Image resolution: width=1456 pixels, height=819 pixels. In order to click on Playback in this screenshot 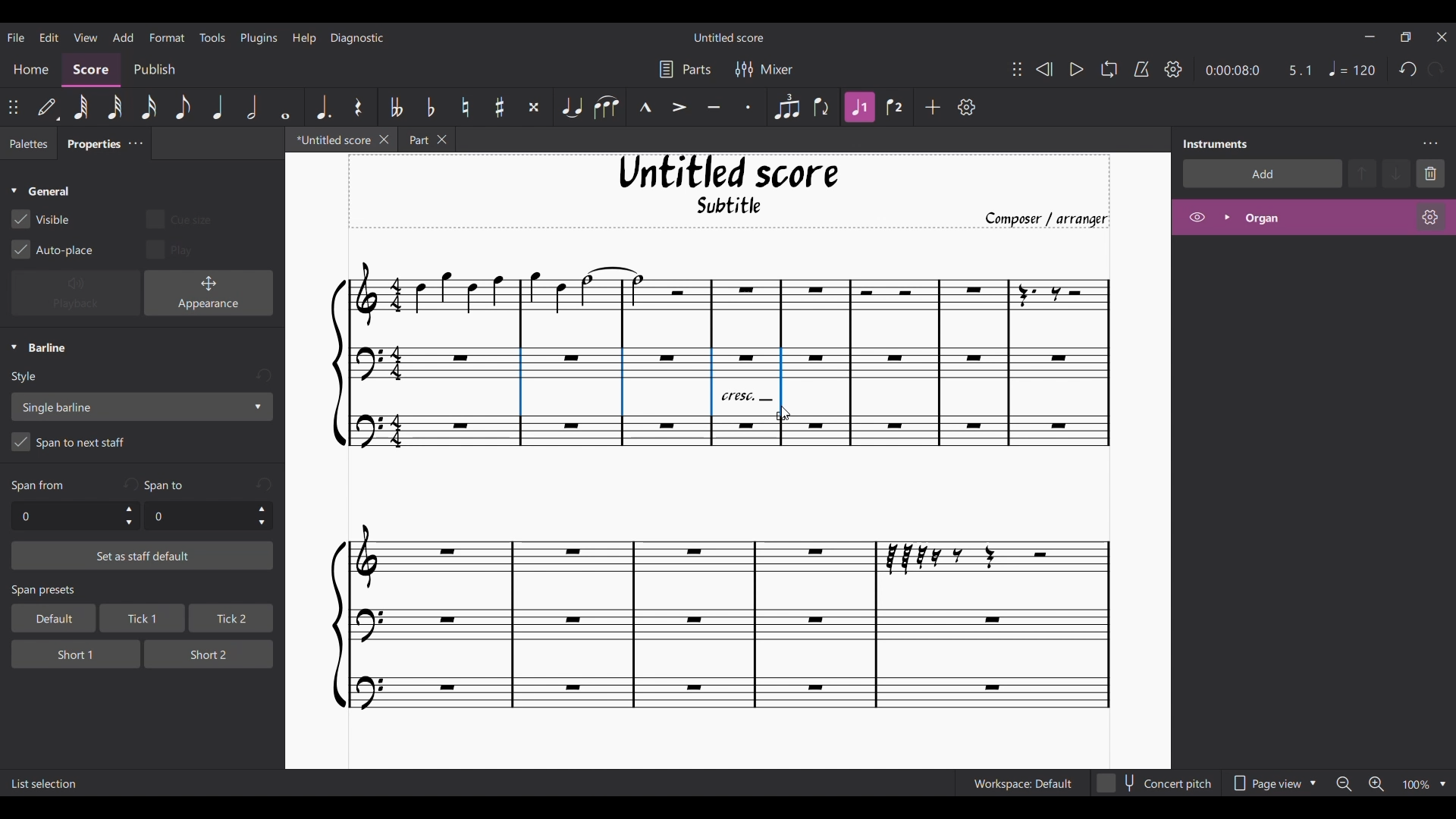, I will do `click(76, 293)`.